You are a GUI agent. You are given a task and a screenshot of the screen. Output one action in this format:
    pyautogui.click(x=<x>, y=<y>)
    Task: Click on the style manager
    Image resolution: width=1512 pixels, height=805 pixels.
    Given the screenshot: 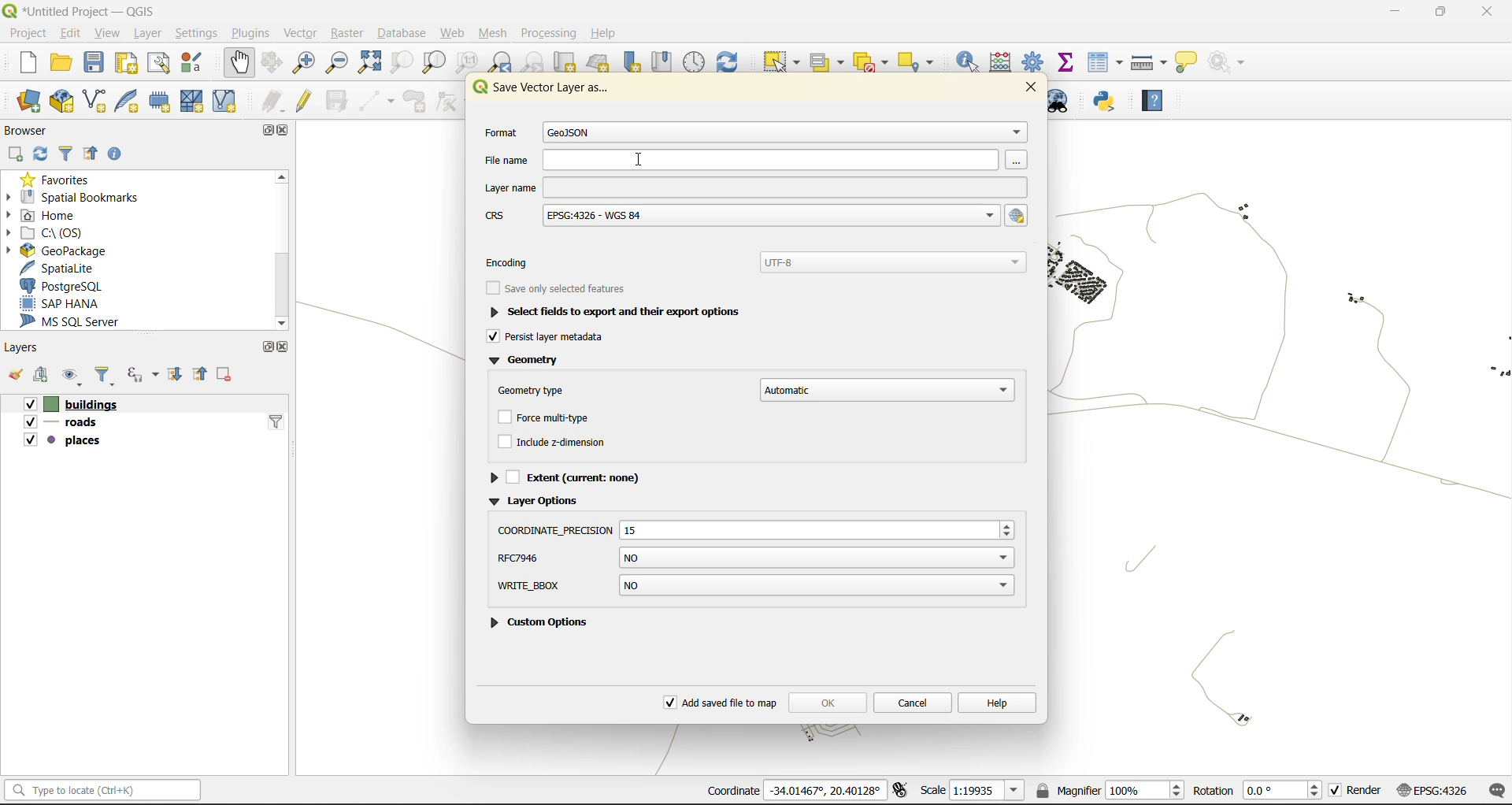 What is the action you would take?
    pyautogui.click(x=192, y=65)
    